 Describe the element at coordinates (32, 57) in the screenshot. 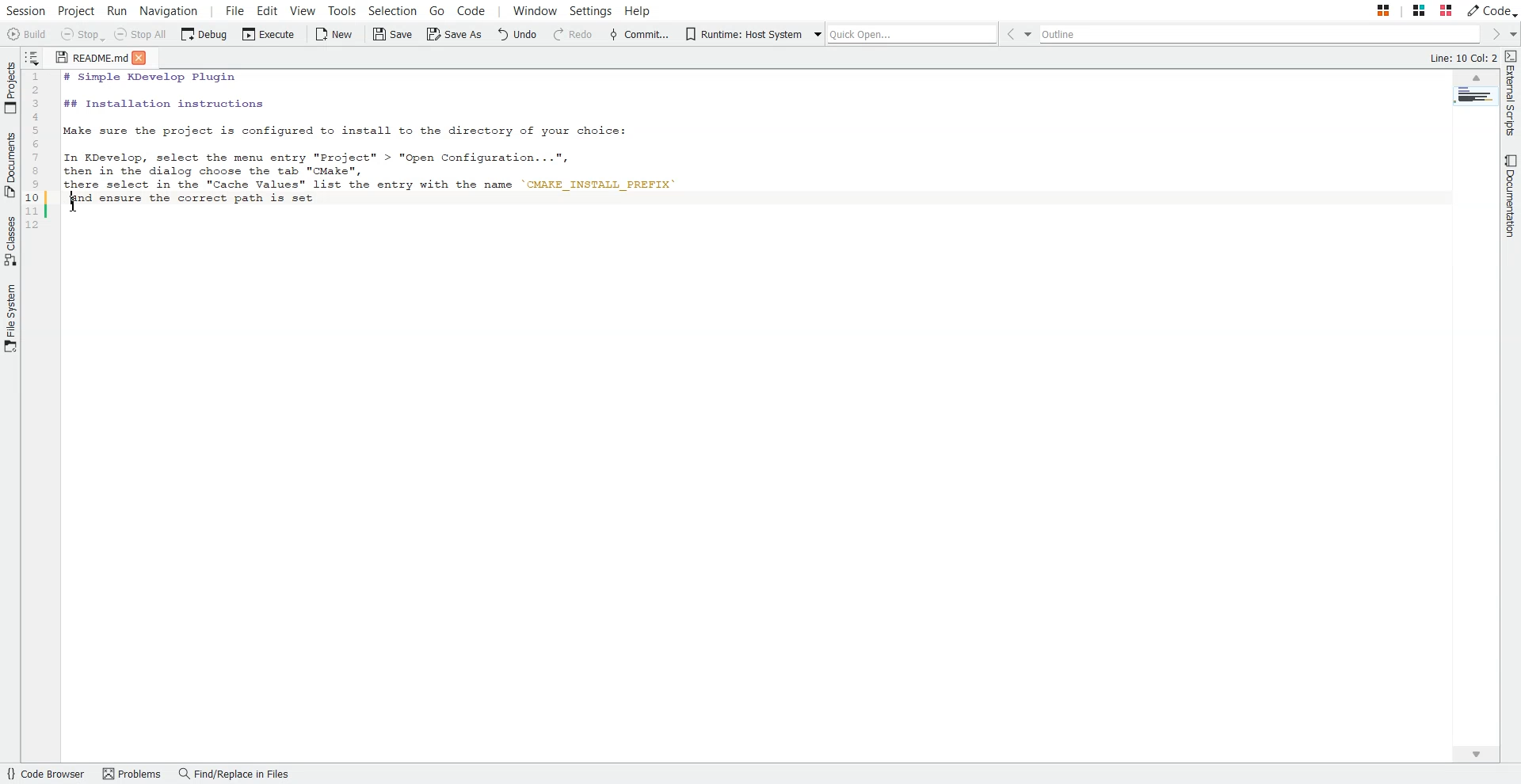

I see `Show sorted list` at that location.